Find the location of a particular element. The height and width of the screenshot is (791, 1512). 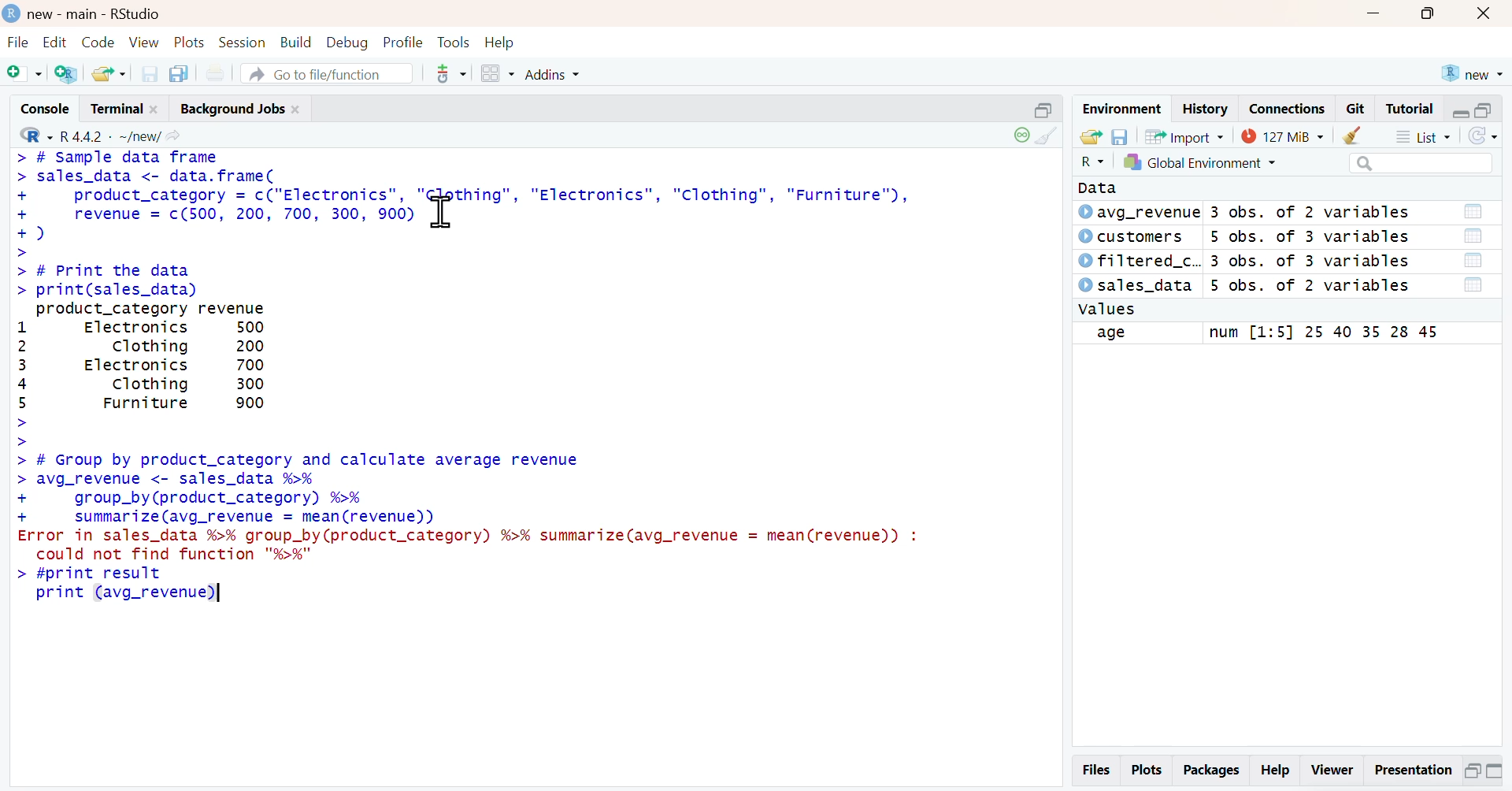

Help is located at coordinates (1274, 772).